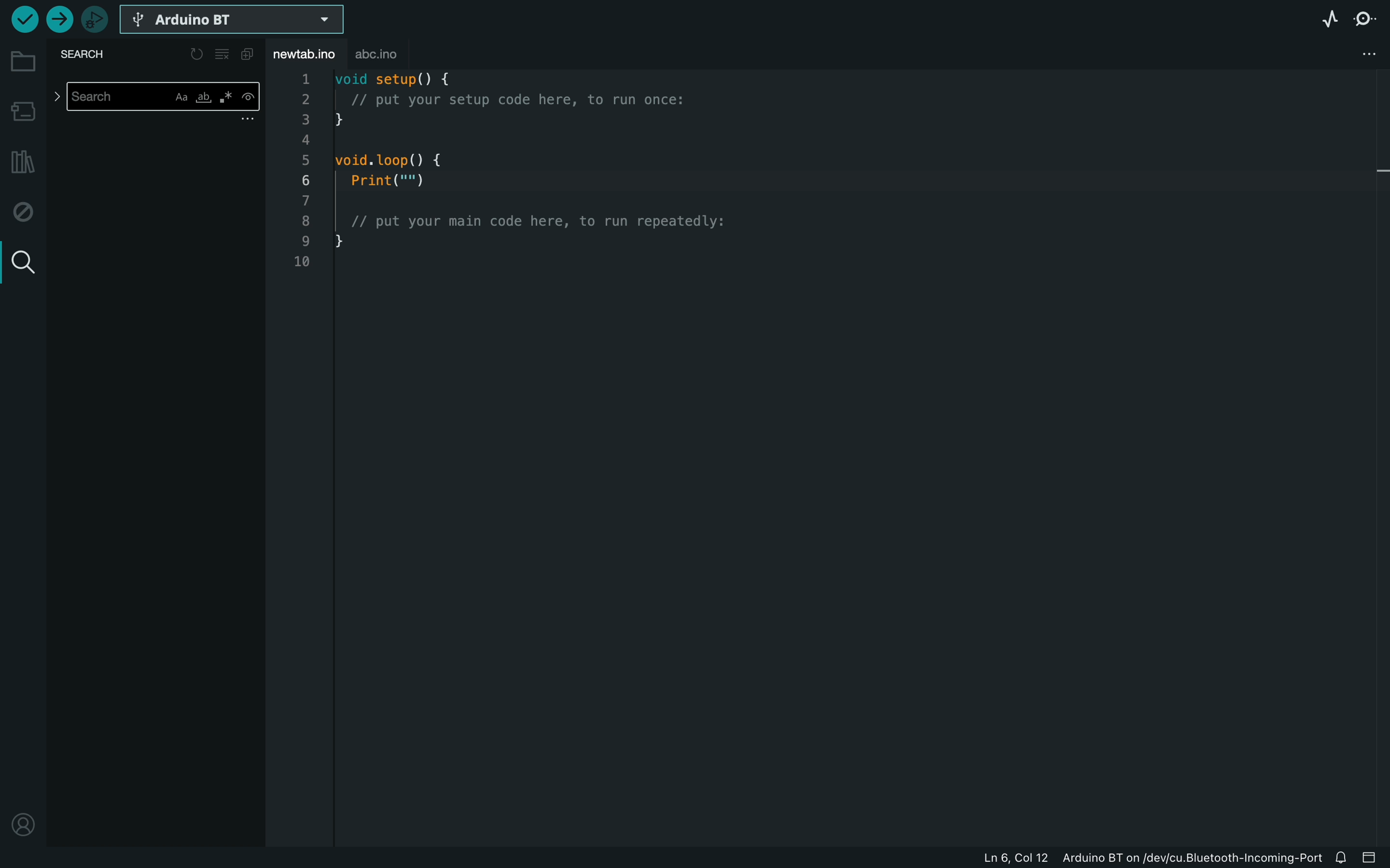 This screenshot has height=868, width=1390. I want to click on search, so click(89, 55).